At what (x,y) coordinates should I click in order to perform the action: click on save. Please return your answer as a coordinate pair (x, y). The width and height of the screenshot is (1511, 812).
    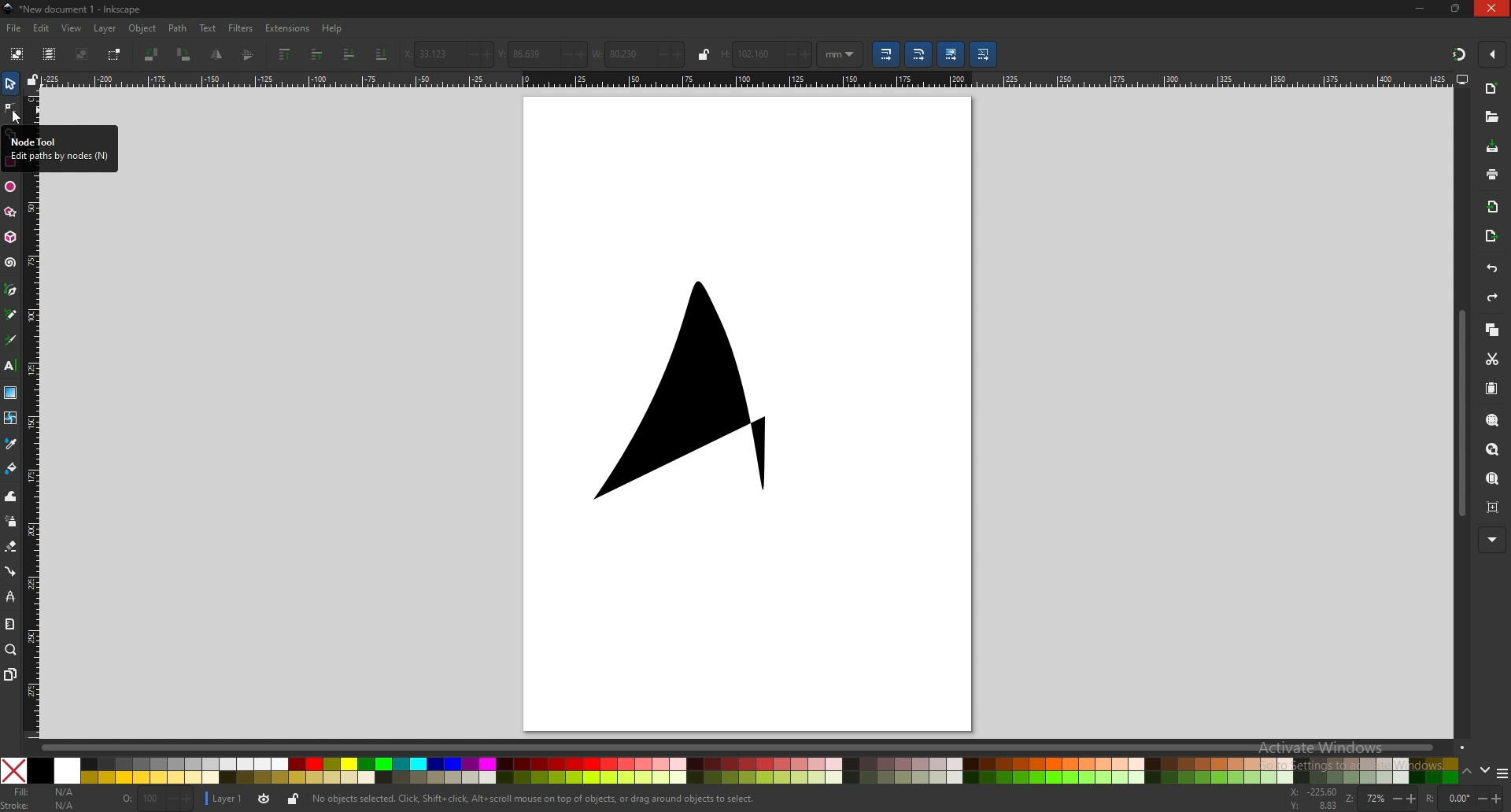
    Looking at the image, I should click on (1494, 148).